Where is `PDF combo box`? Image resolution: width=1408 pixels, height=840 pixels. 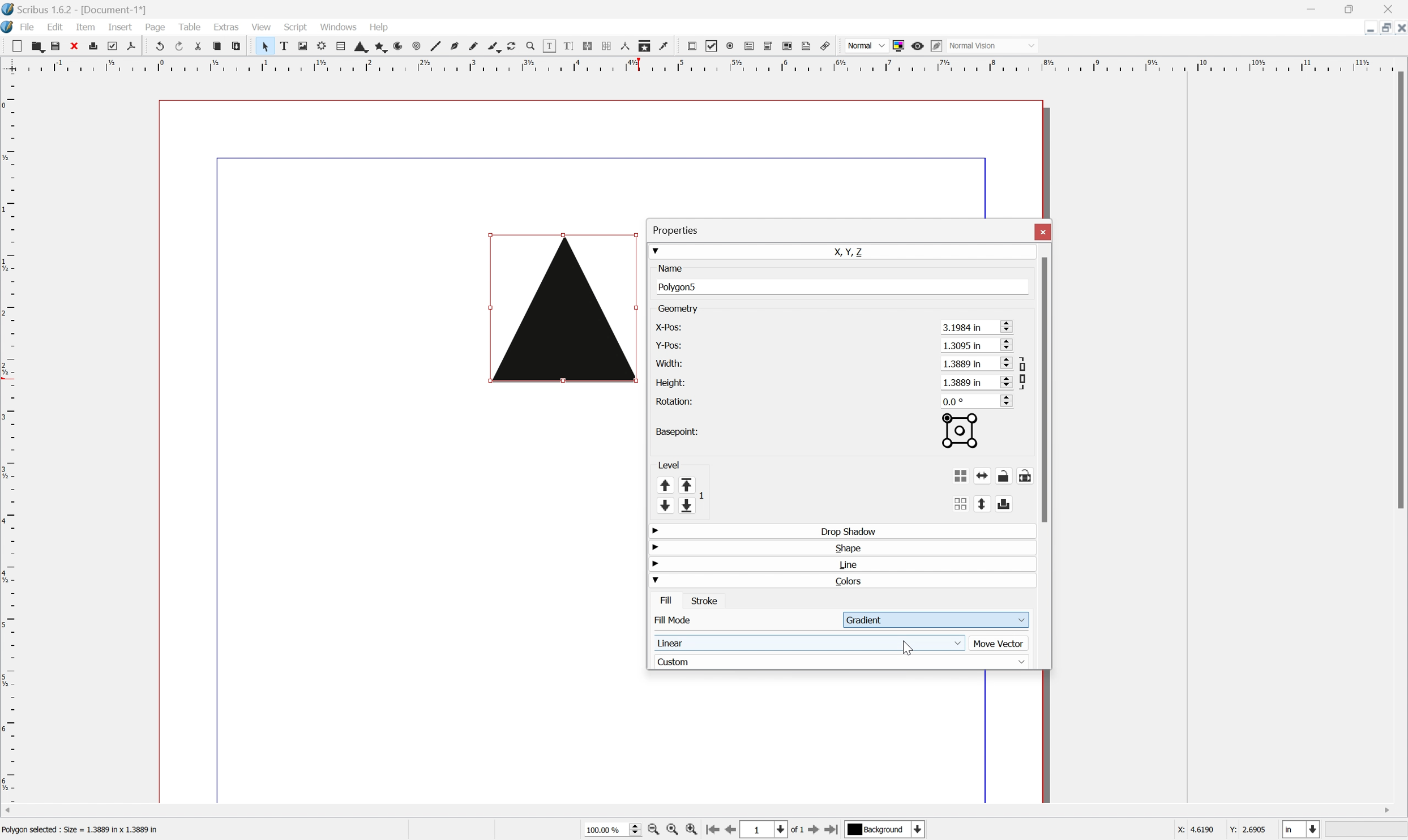 PDF combo box is located at coordinates (768, 46).